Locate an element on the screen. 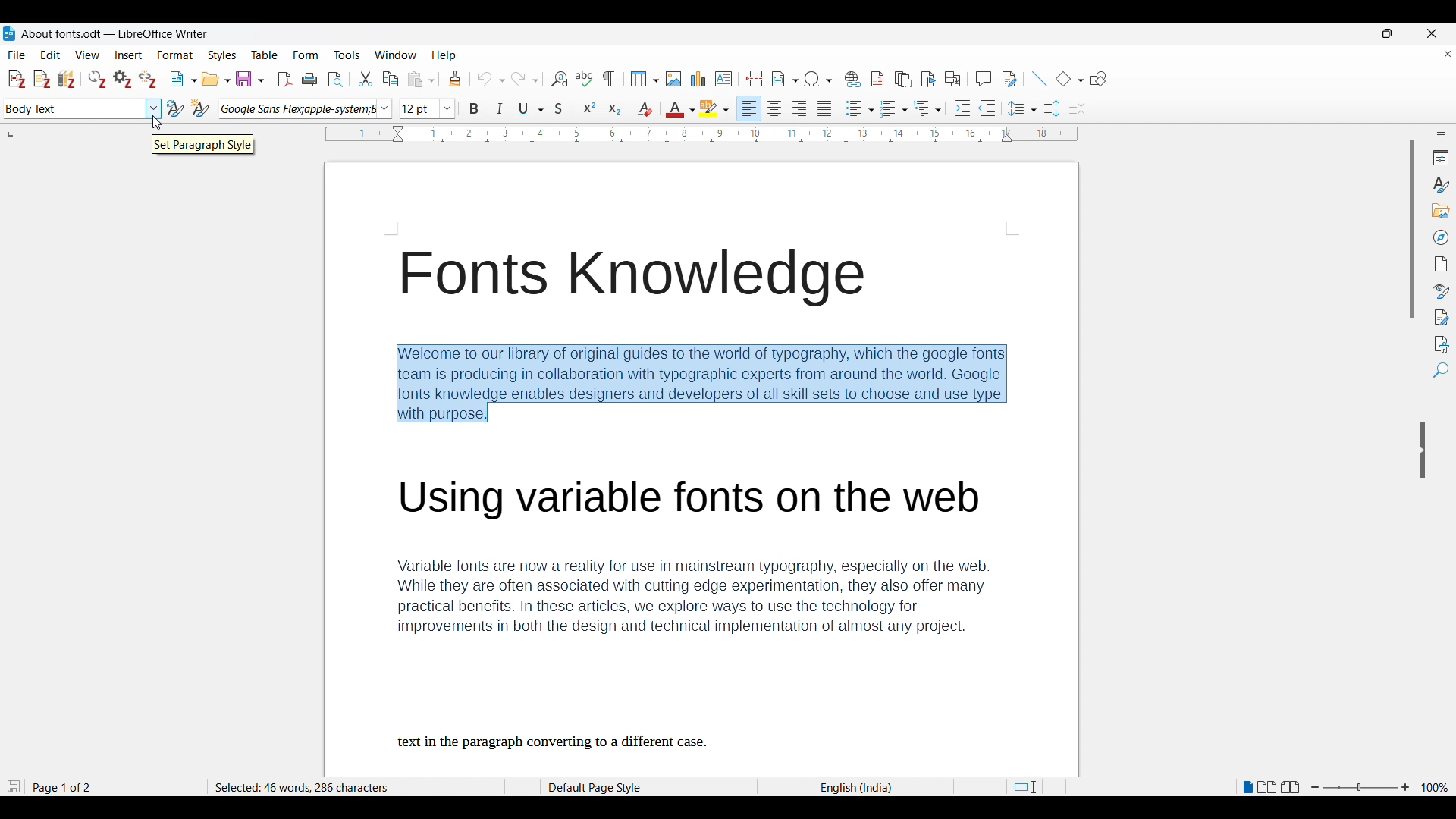 The width and height of the screenshot is (1456, 819). Italics is located at coordinates (499, 108).